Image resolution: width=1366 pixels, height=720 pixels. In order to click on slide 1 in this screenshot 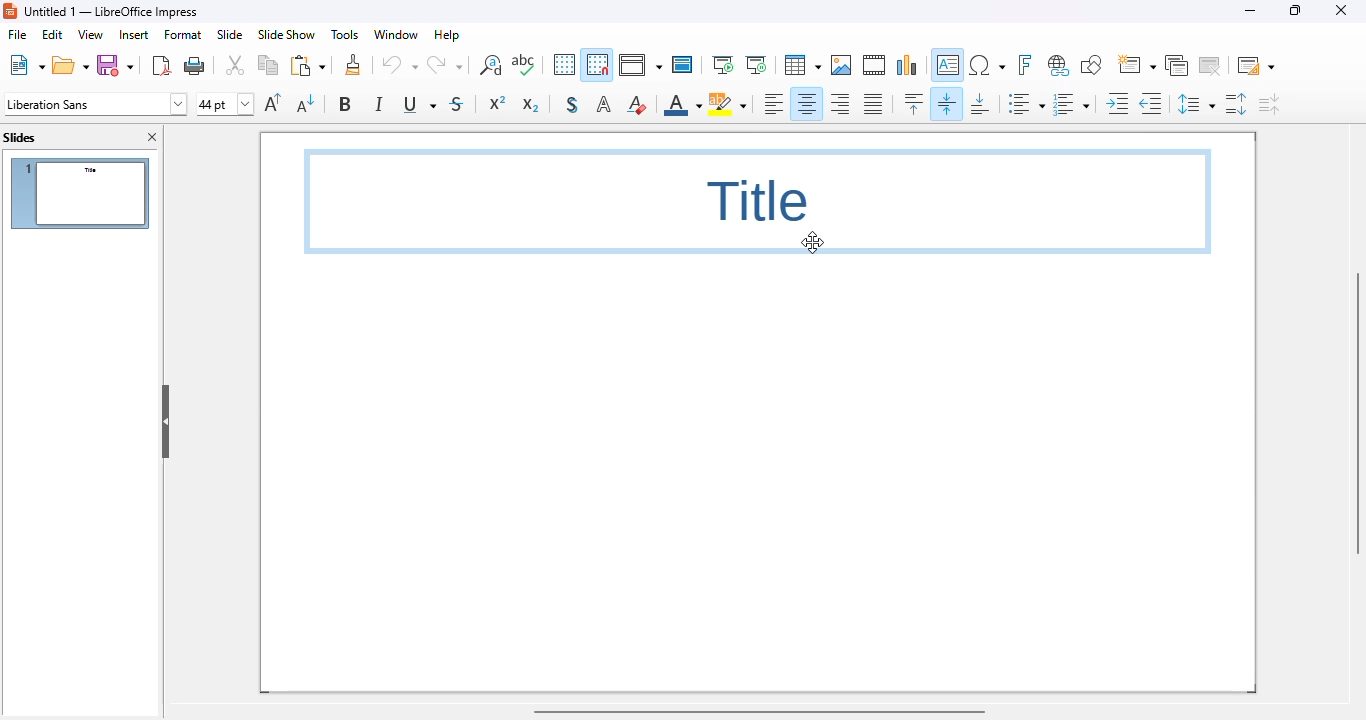, I will do `click(80, 193)`.